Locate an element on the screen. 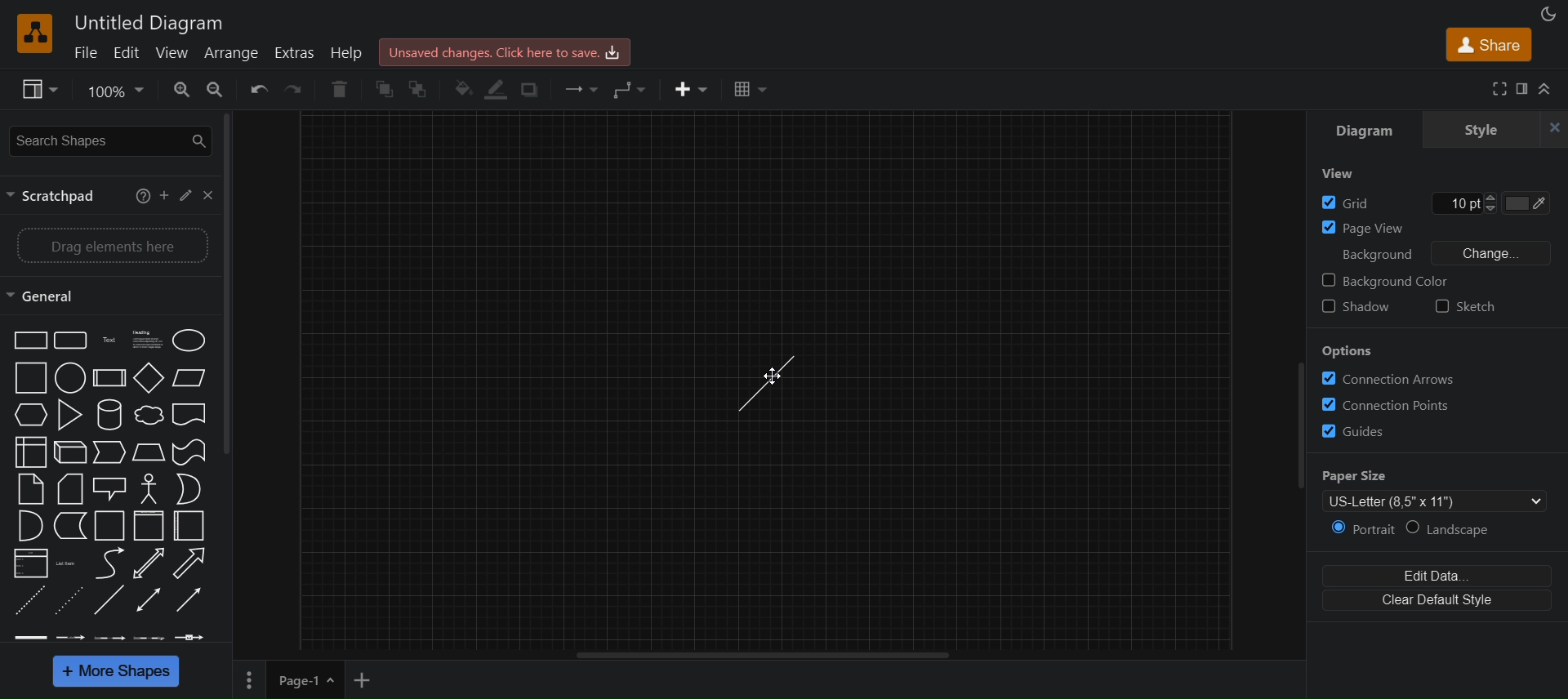  Color is located at coordinates (1530, 205).